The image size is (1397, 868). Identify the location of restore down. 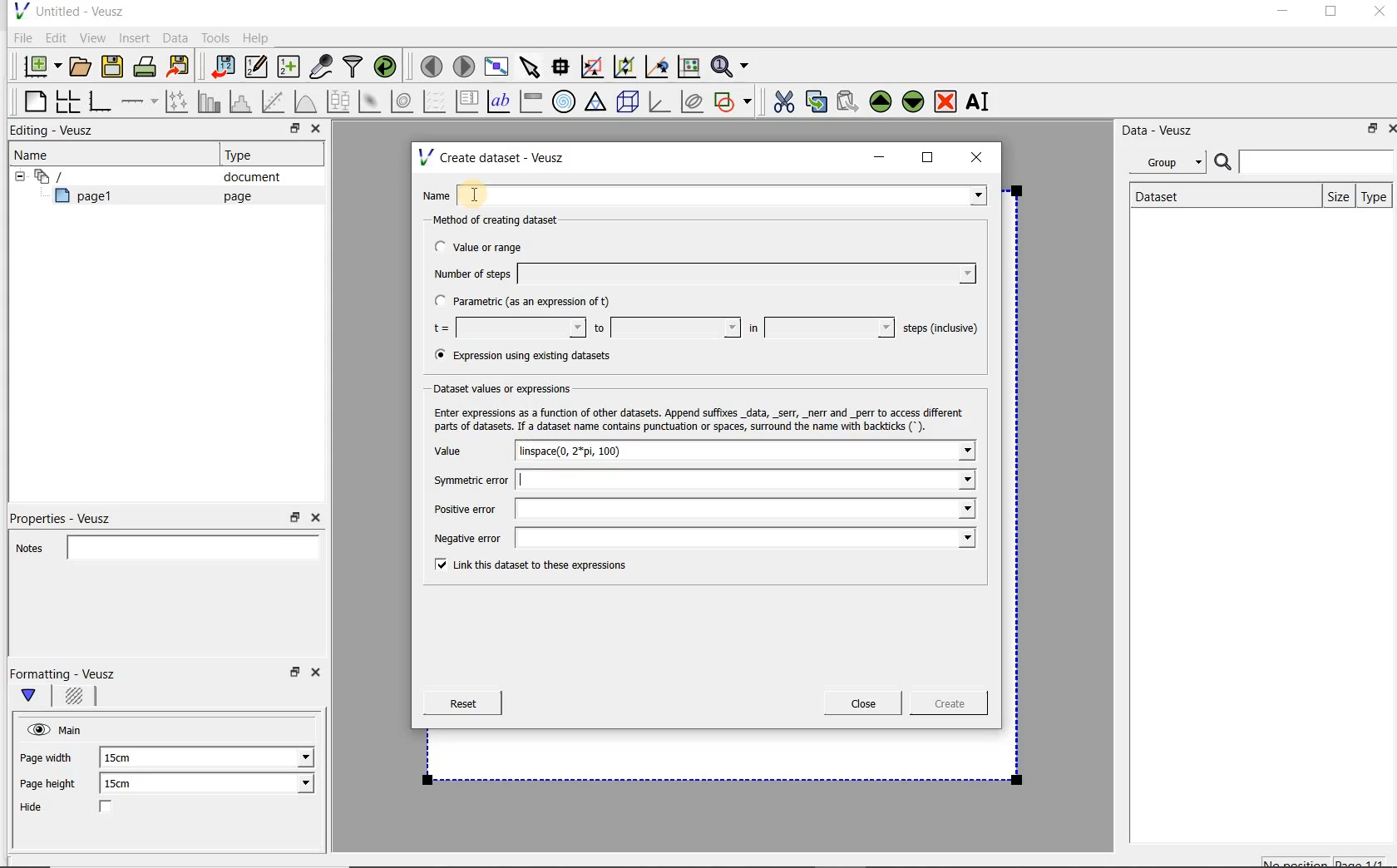
(293, 677).